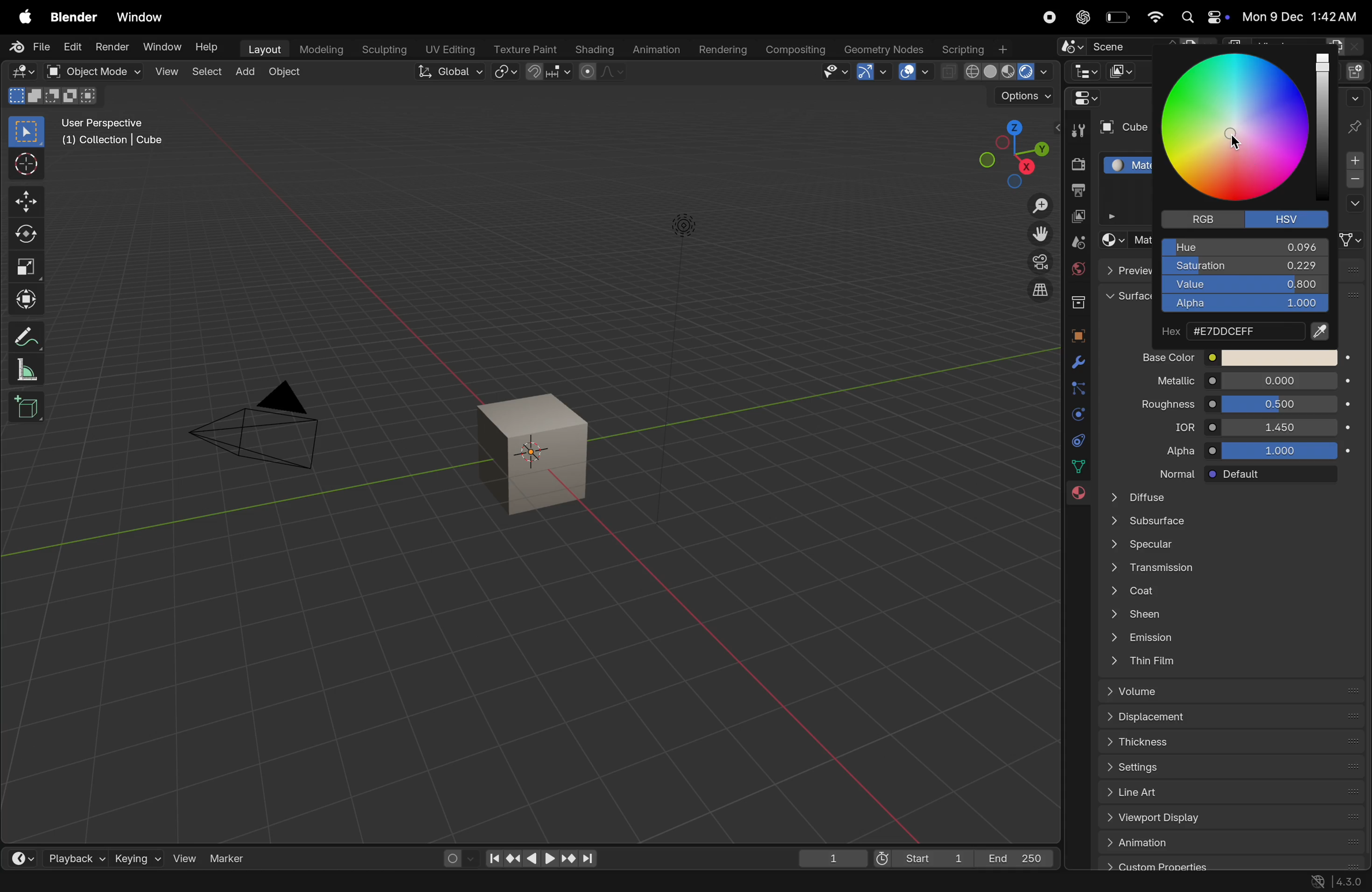  Describe the element at coordinates (287, 74) in the screenshot. I see `object mode` at that location.